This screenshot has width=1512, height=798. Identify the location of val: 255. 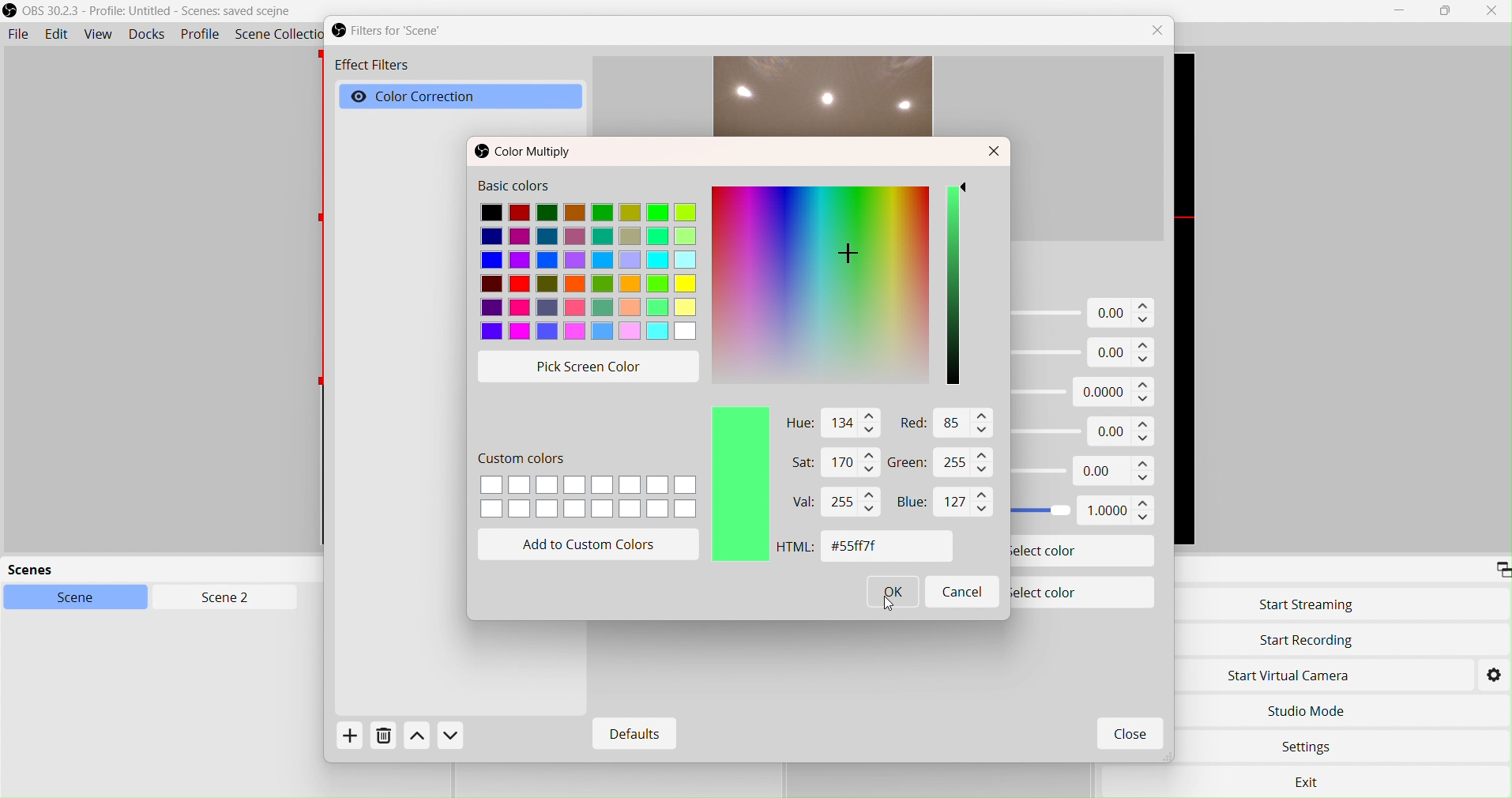
(832, 503).